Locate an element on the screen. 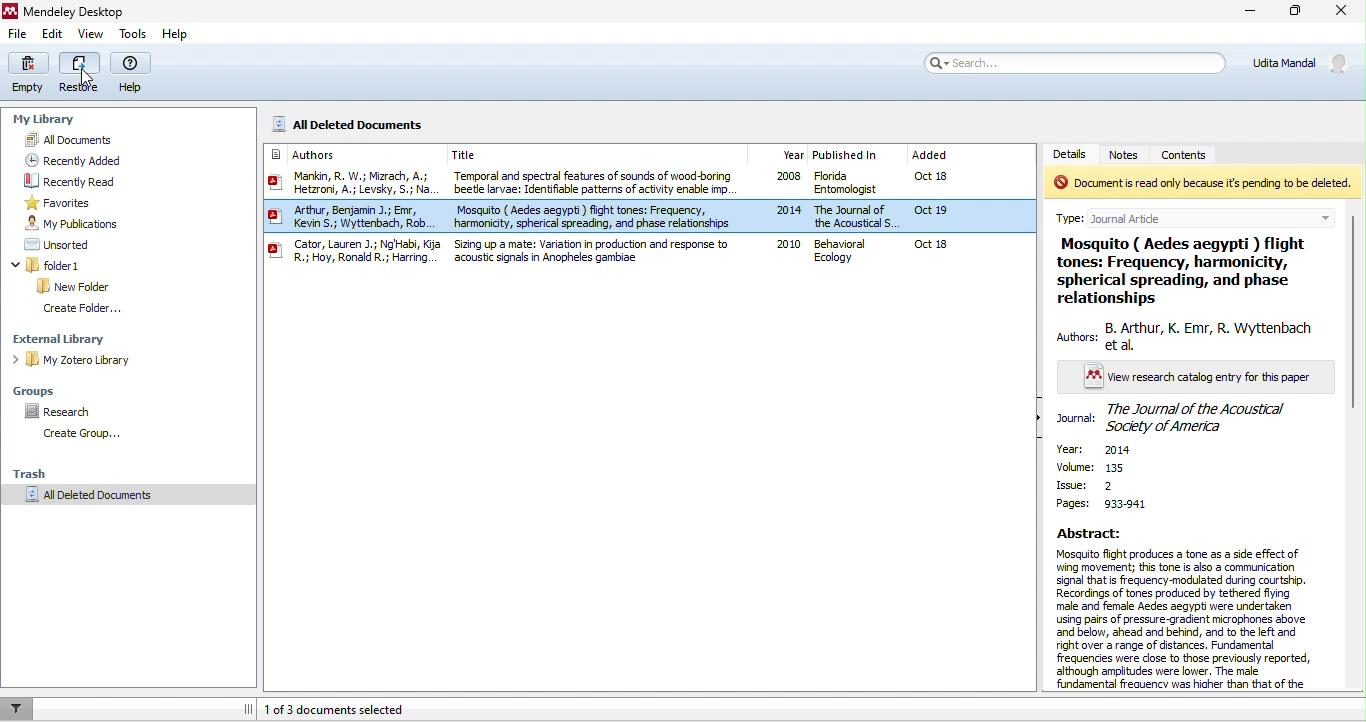  cursor movement is located at coordinates (88, 77).